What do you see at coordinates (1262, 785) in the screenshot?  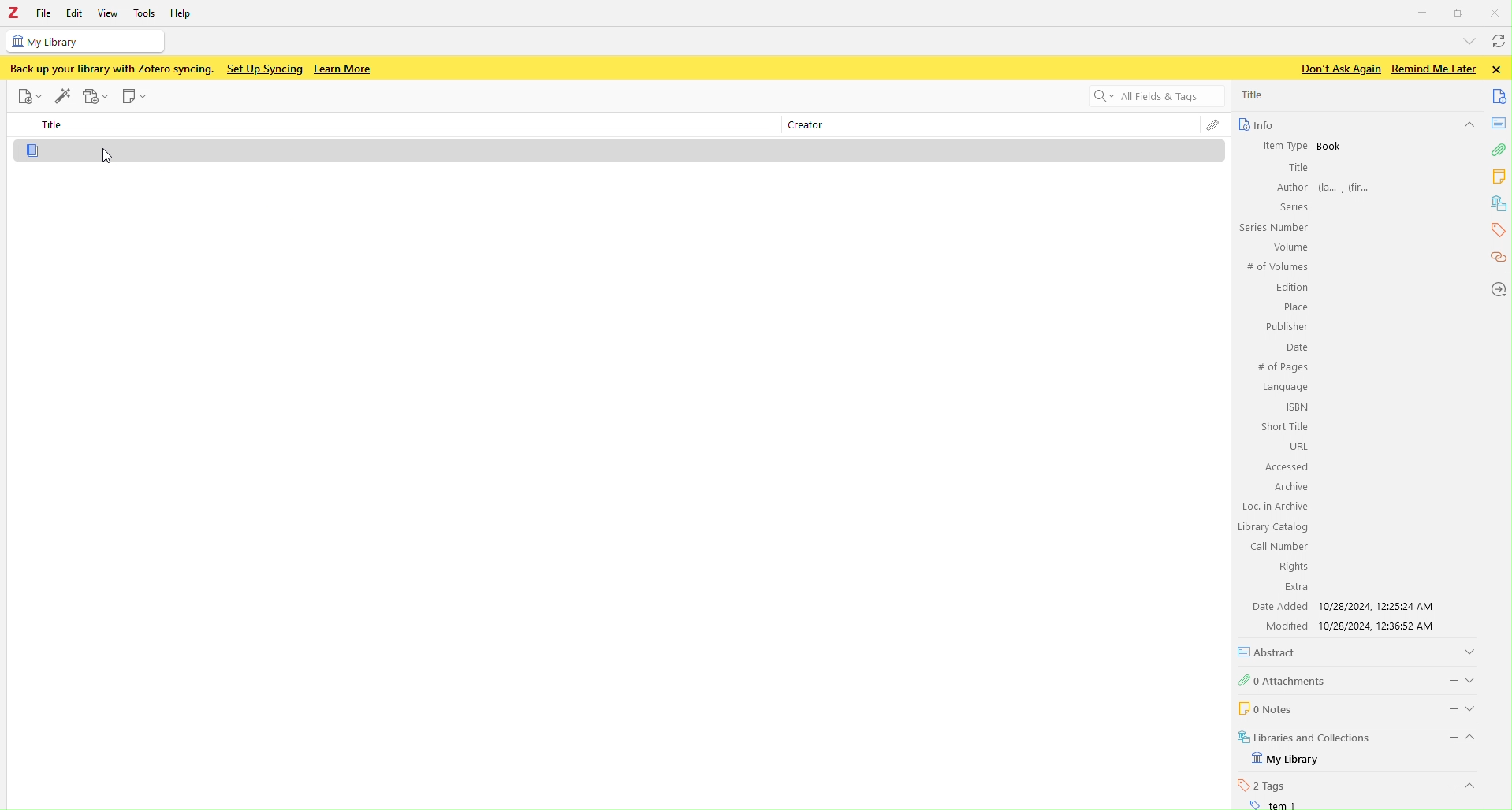 I see `2 Tags` at bounding box center [1262, 785].